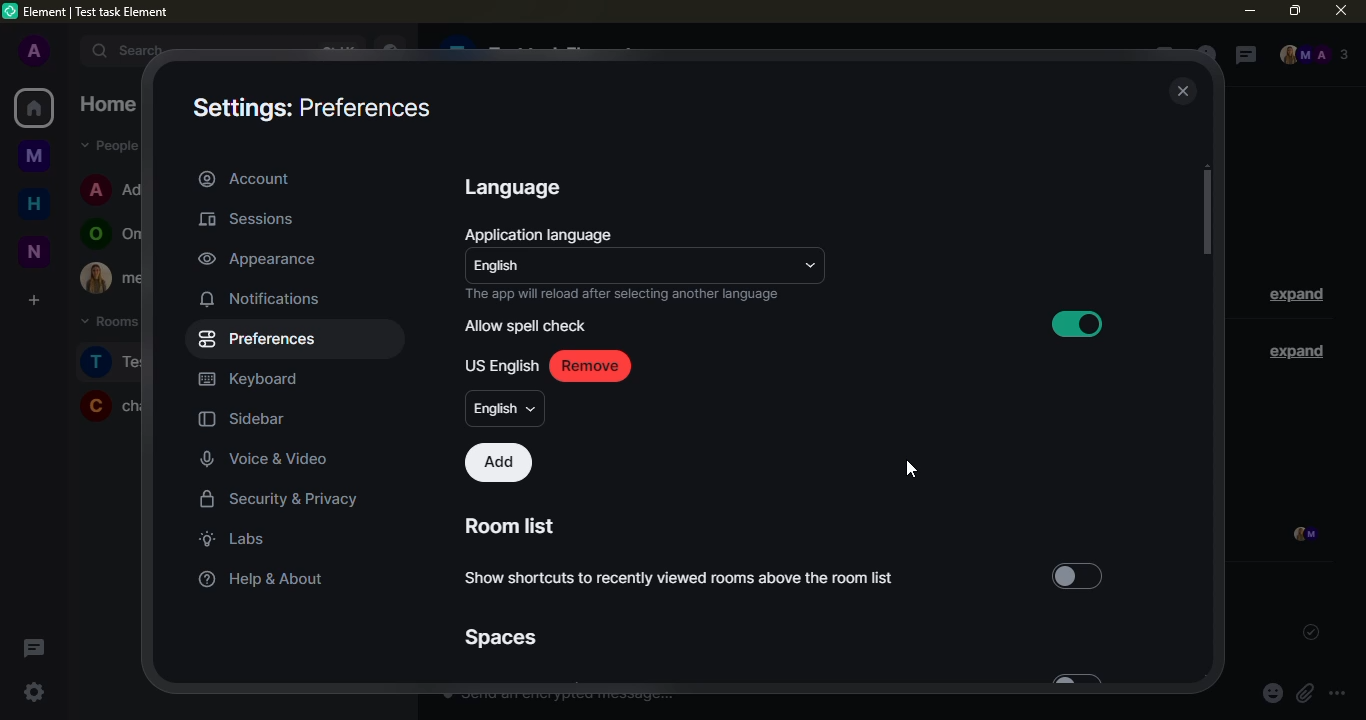  I want to click on expand, so click(68, 50).